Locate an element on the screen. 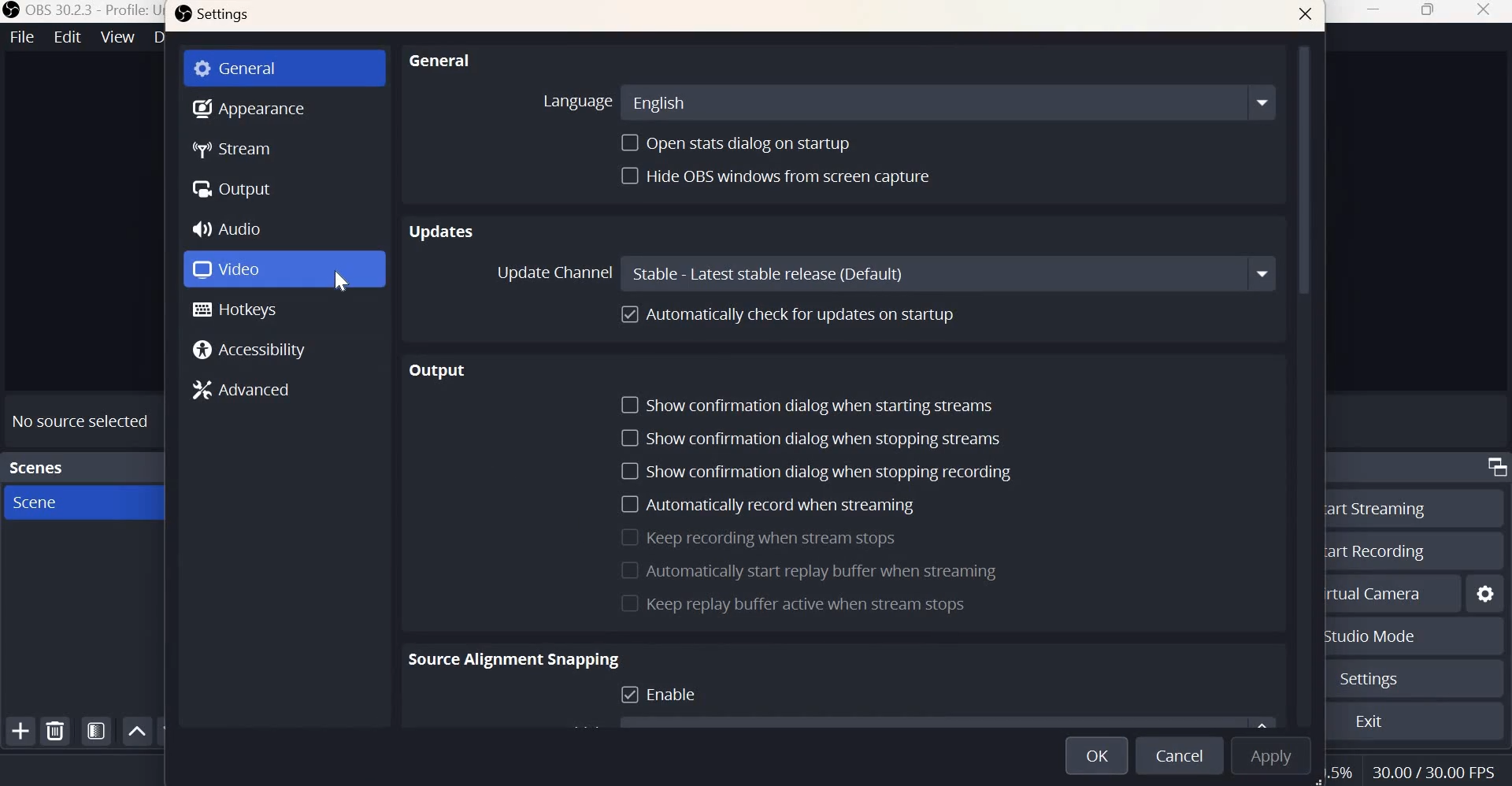 This screenshot has height=786, width=1512. Maximize is located at coordinates (1429, 13).